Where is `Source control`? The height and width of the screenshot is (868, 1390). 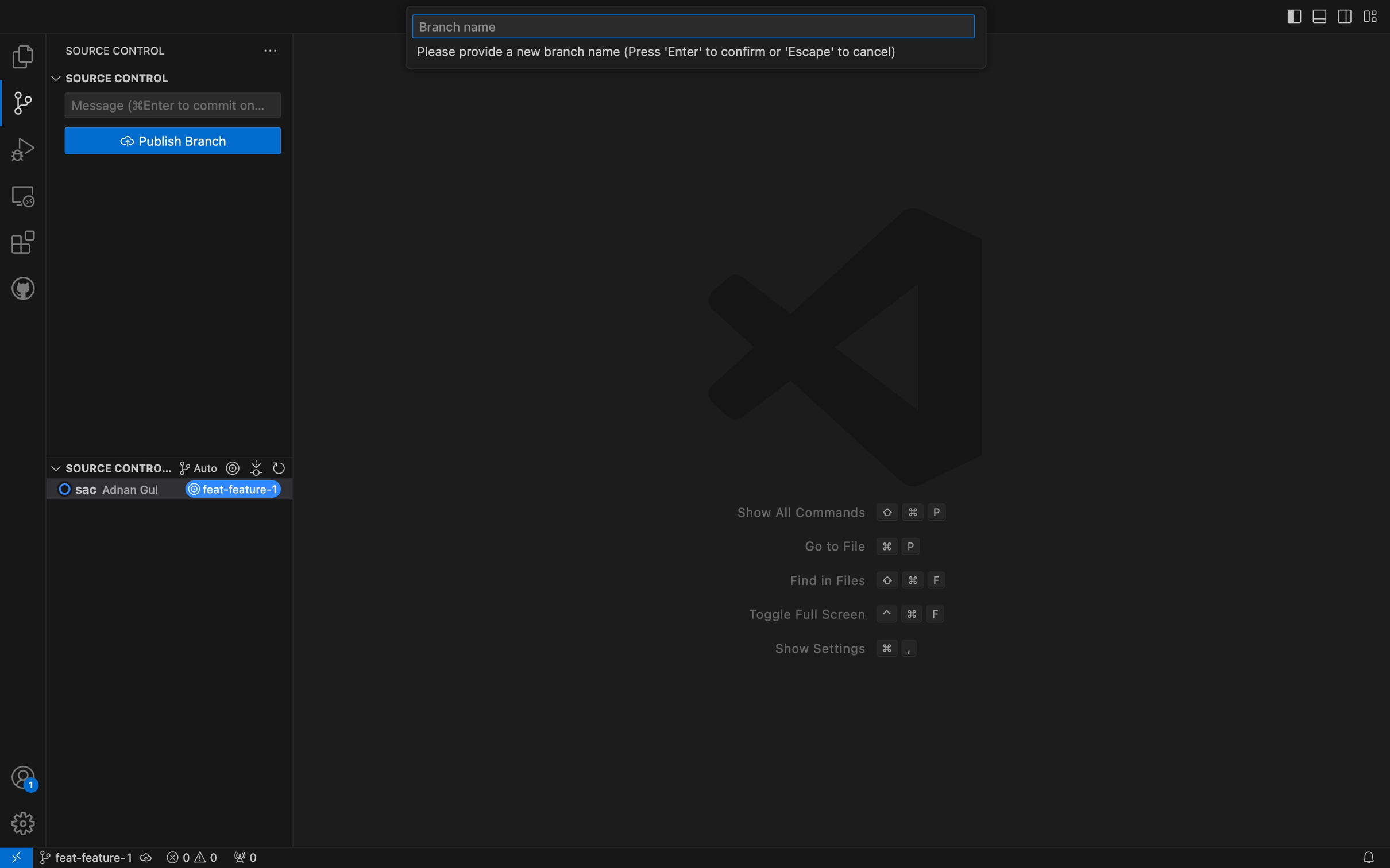
Source control is located at coordinates (108, 467).